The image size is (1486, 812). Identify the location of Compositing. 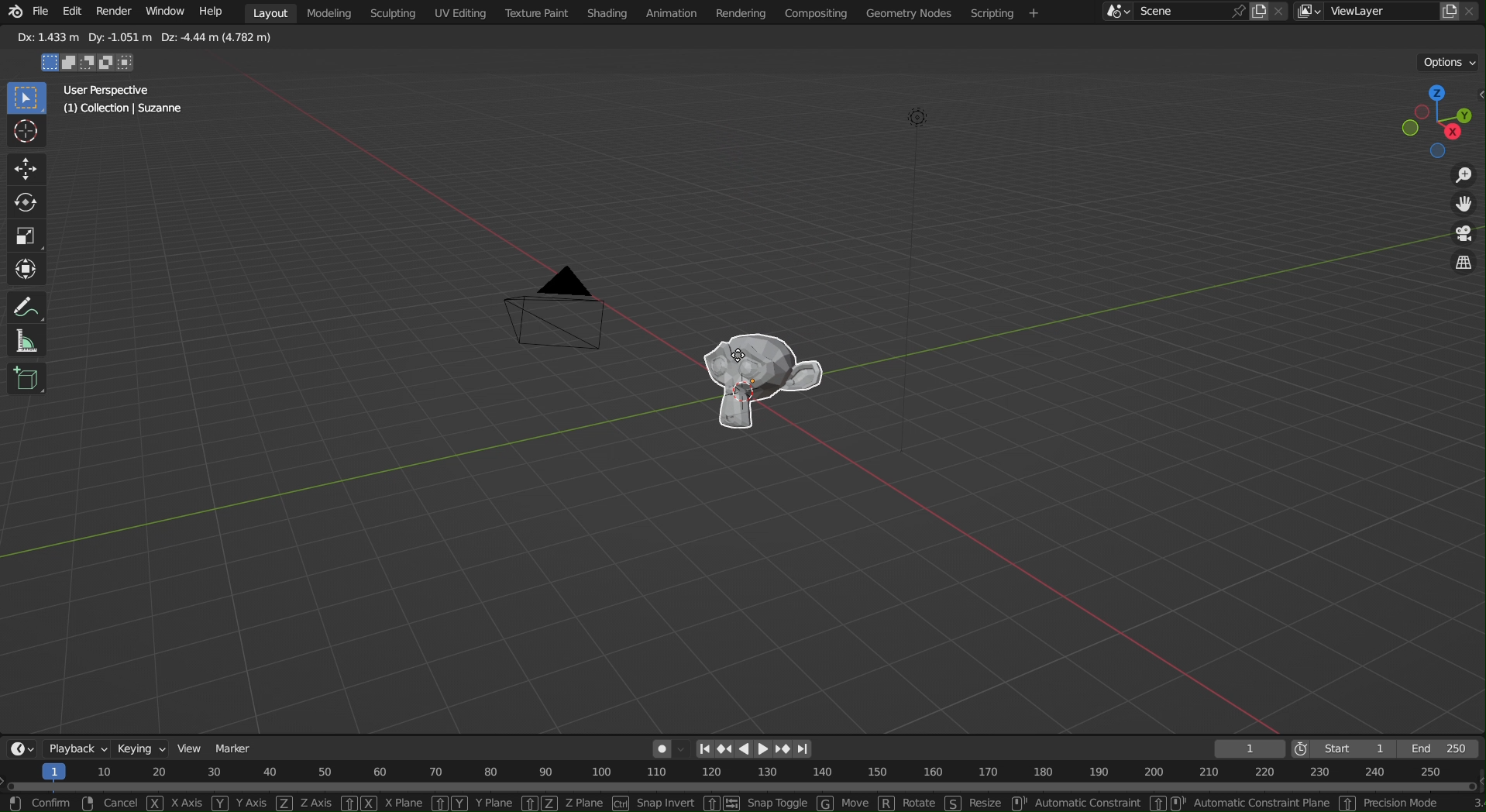
(816, 12).